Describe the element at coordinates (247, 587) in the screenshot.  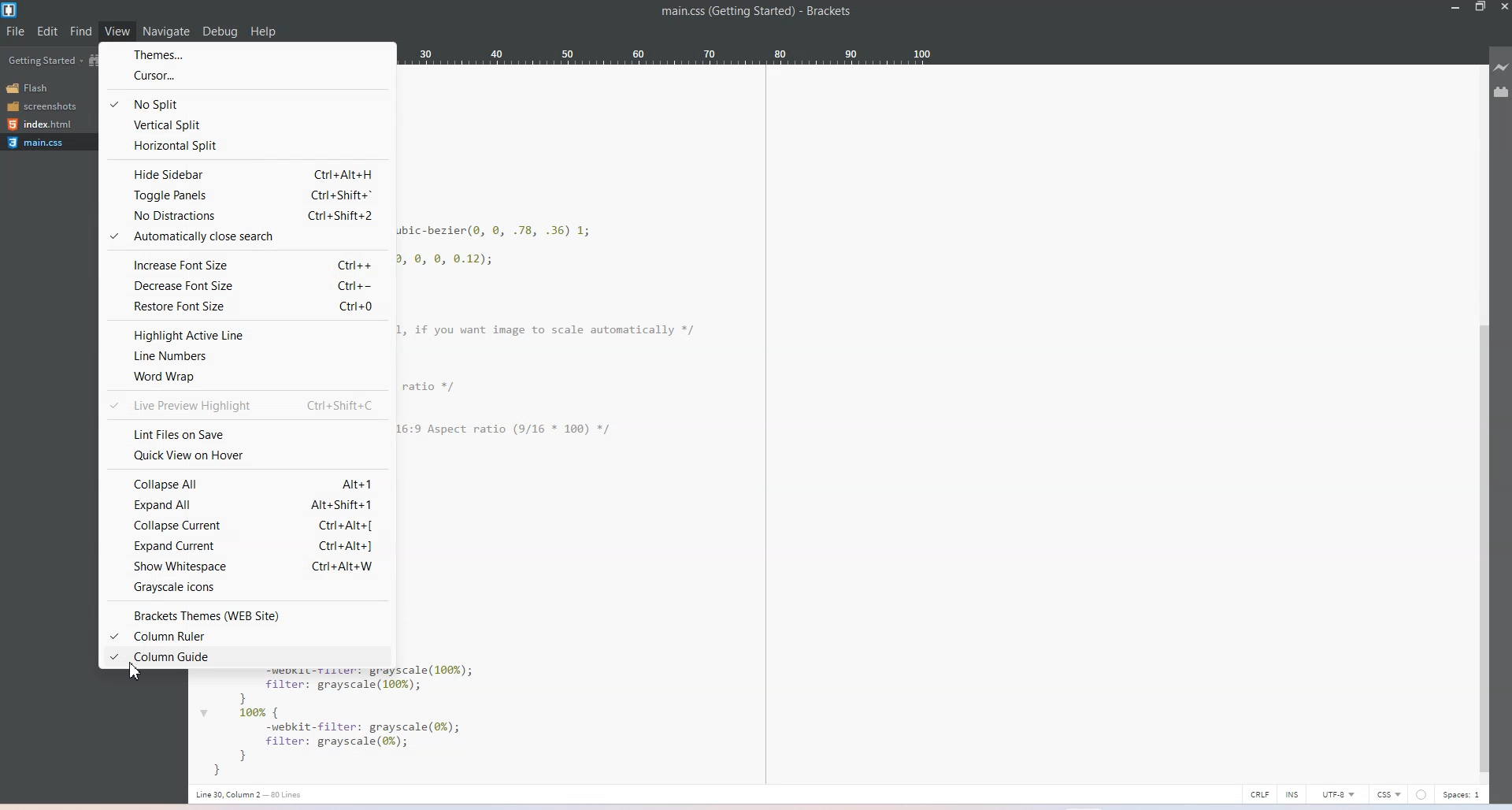
I see `Greyscale icons` at that location.